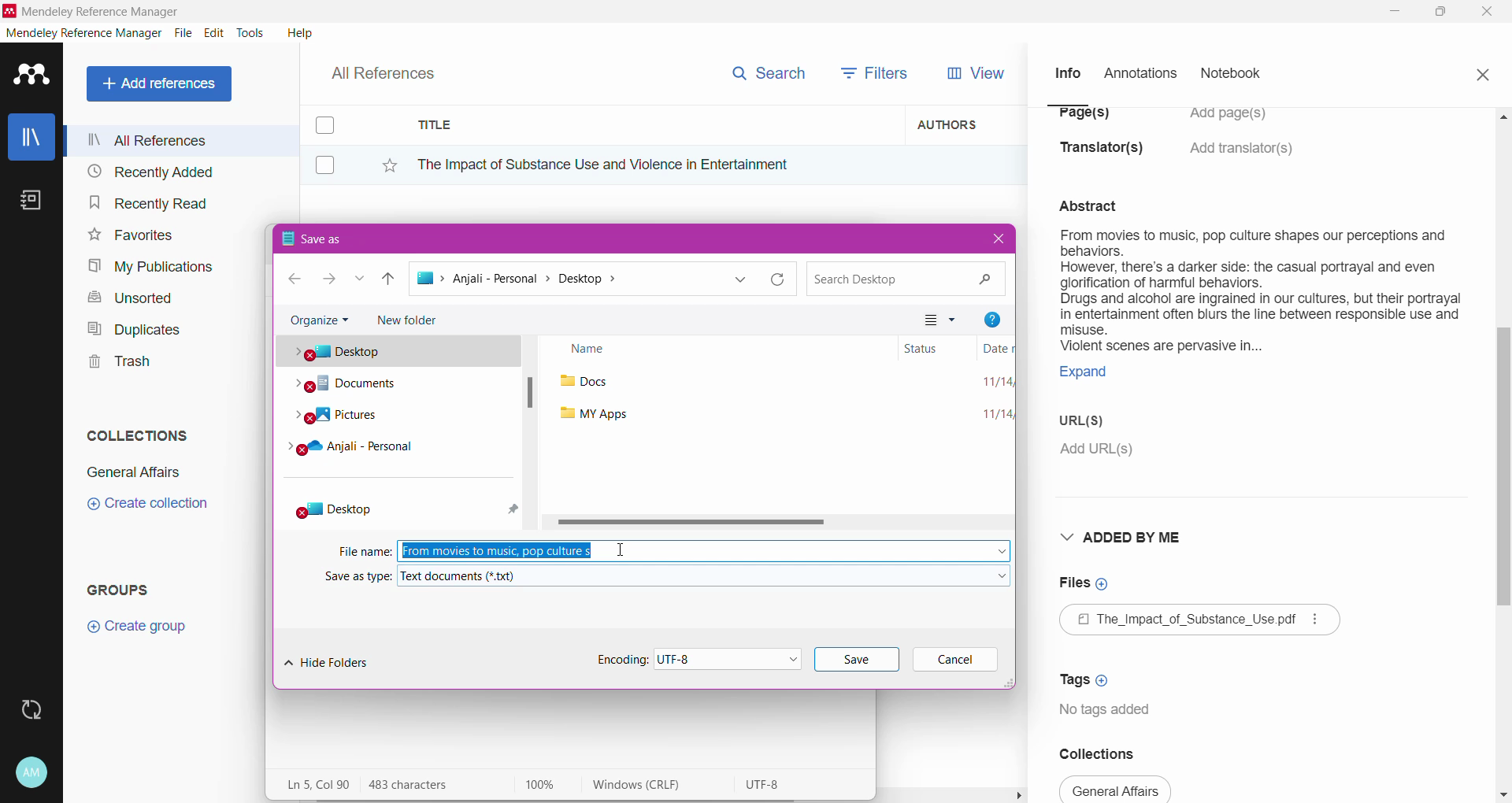 The height and width of the screenshot is (803, 1512). Describe the element at coordinates (1093, 423) in the screenshot. I see `URL(S)` at that location.